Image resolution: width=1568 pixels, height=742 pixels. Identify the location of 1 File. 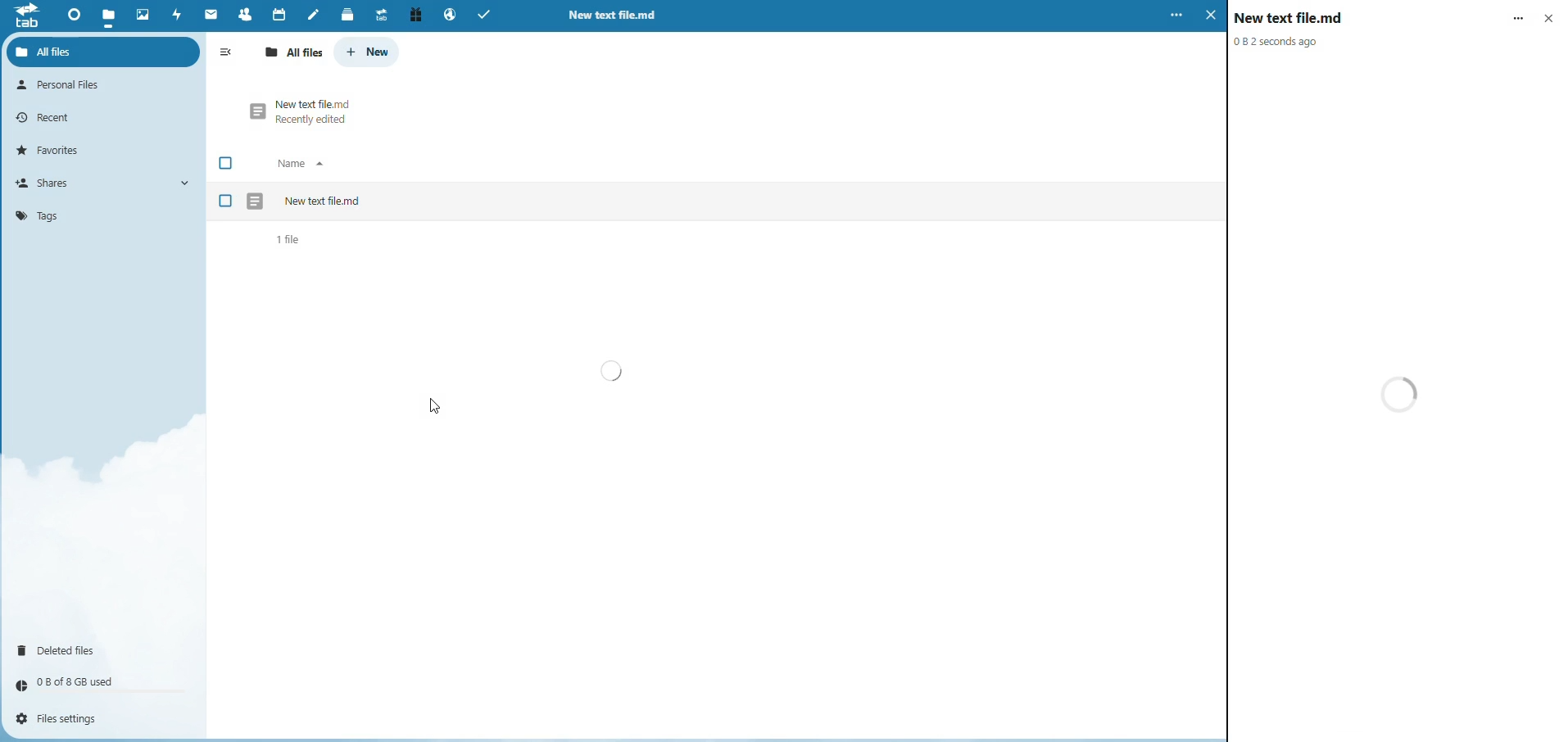
(291, 240).